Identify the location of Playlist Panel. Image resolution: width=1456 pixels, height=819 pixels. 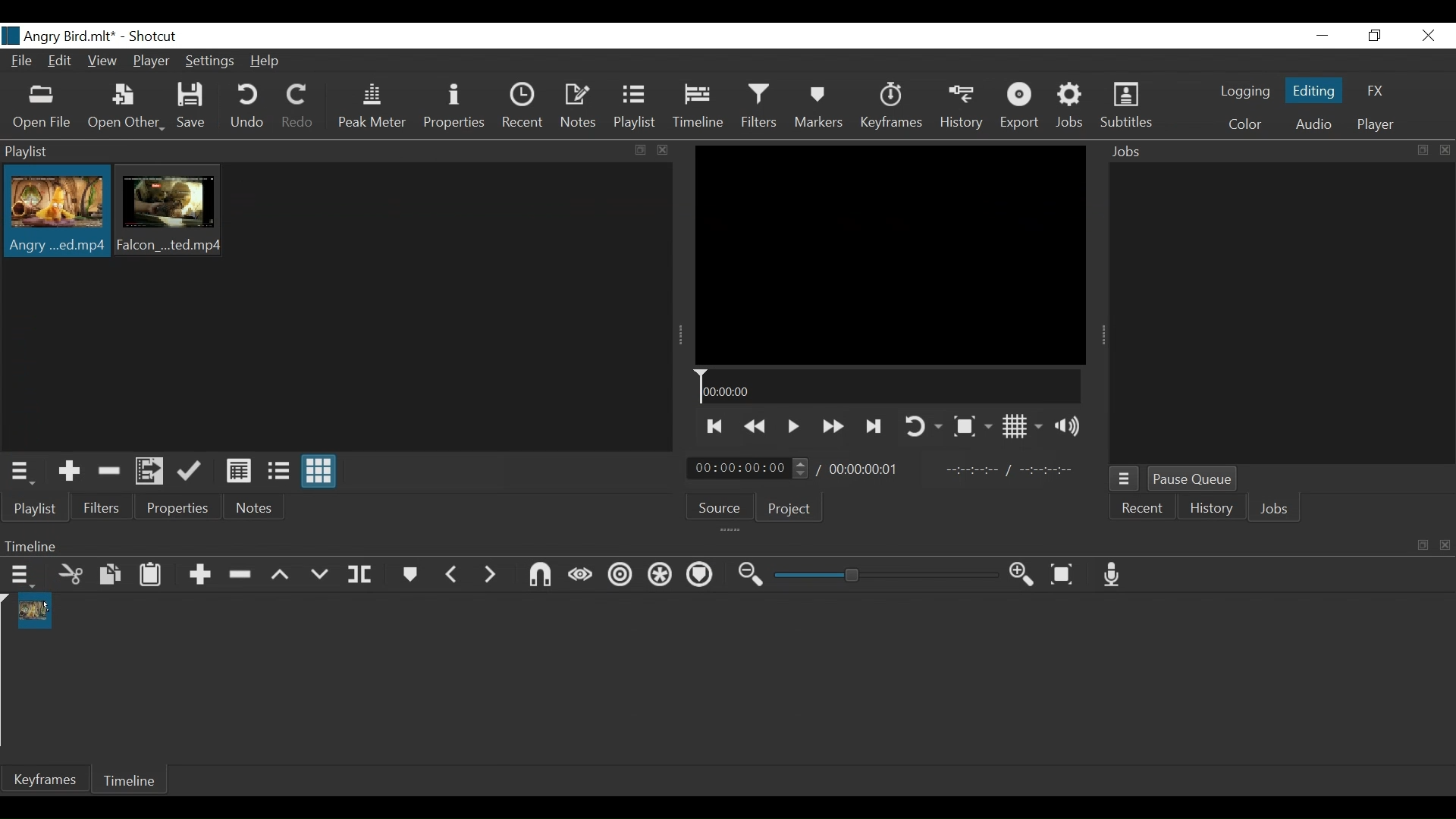
(338, 152).